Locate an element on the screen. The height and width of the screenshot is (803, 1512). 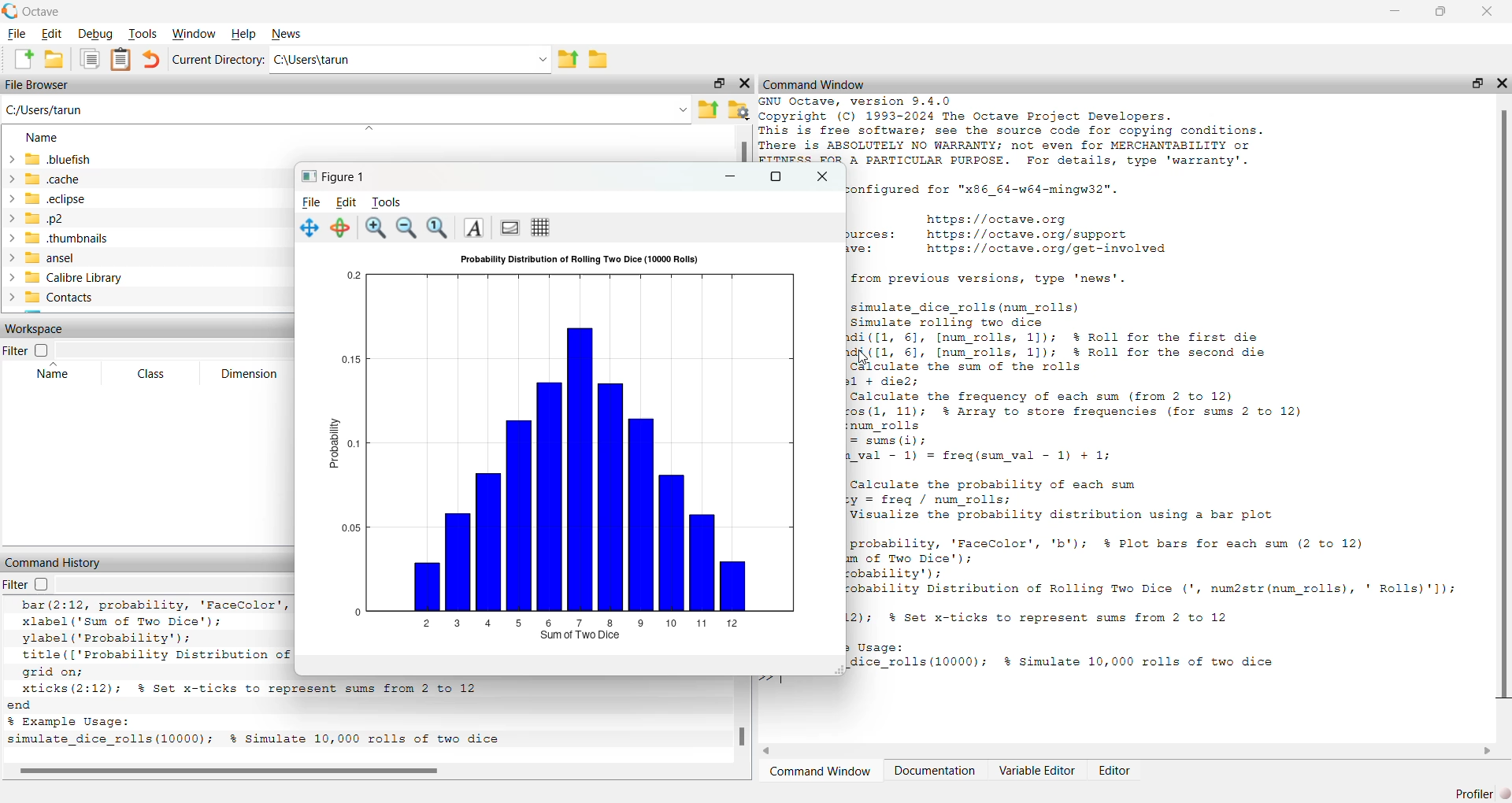
notes is located at coordinates (122, 60).